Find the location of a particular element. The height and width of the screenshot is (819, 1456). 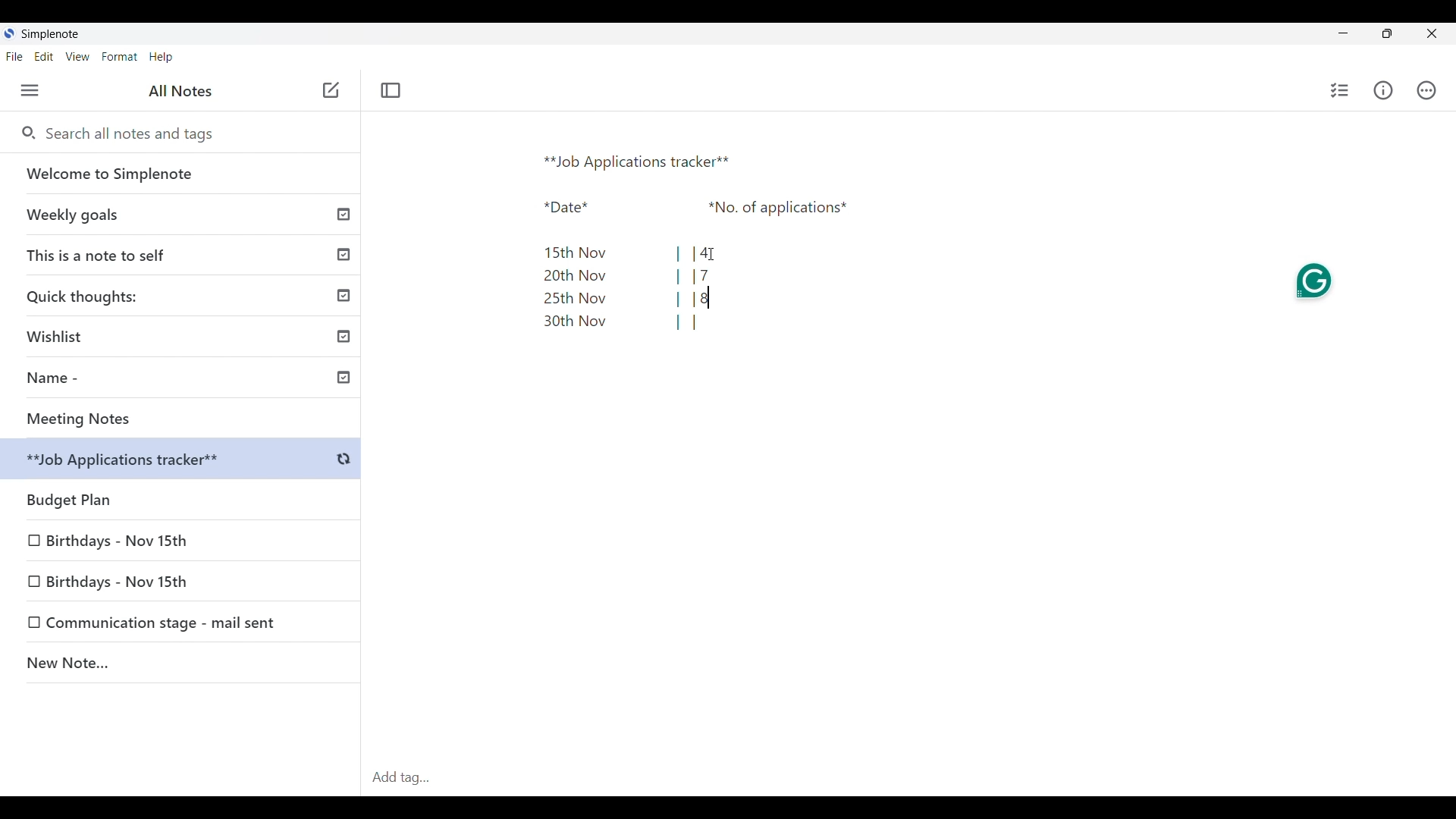

Edit is located at coordinates (44, 56).